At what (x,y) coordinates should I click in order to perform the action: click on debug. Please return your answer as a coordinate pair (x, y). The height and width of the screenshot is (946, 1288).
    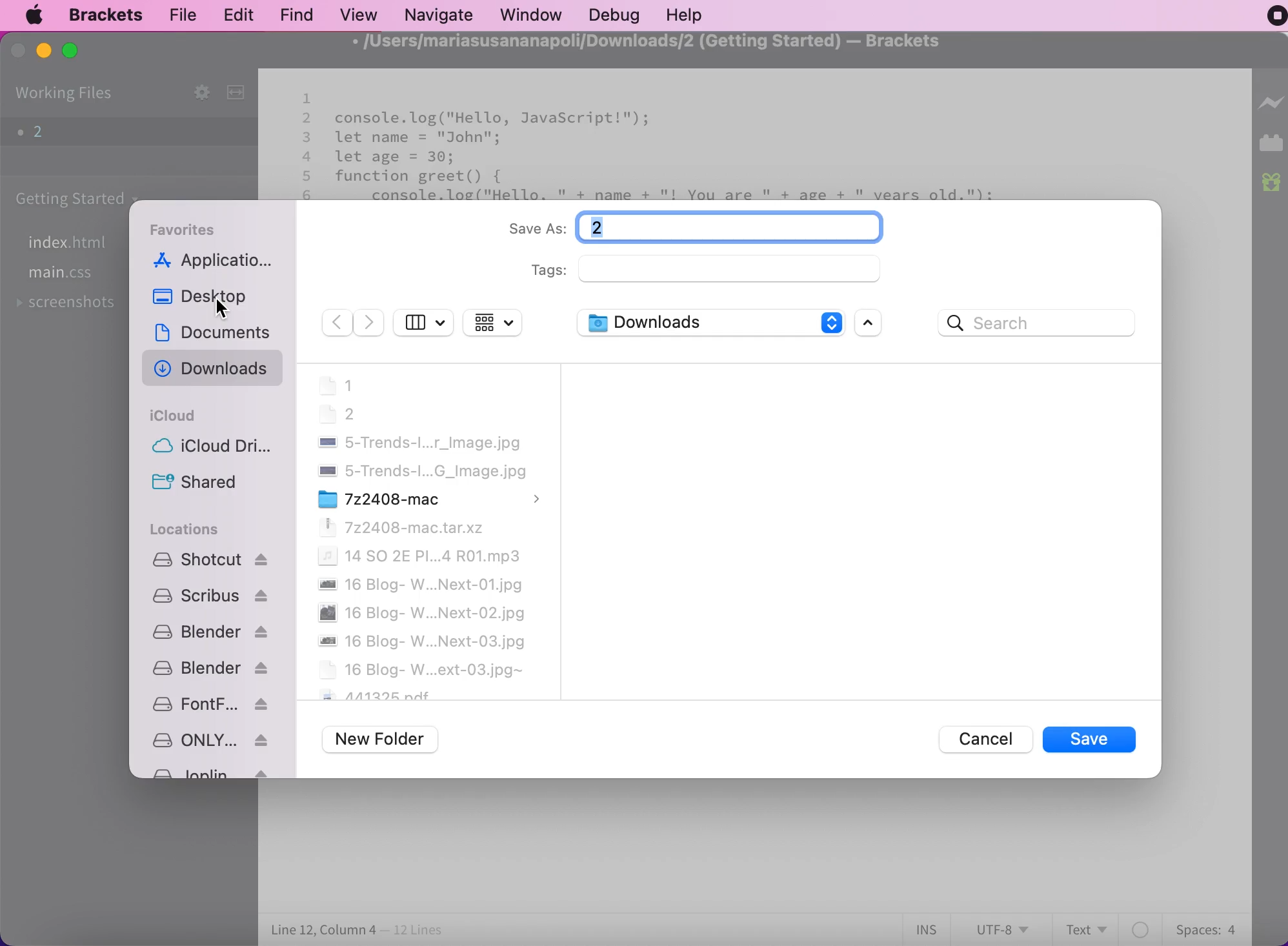
    Looking at the image, I should click on (612, 15).